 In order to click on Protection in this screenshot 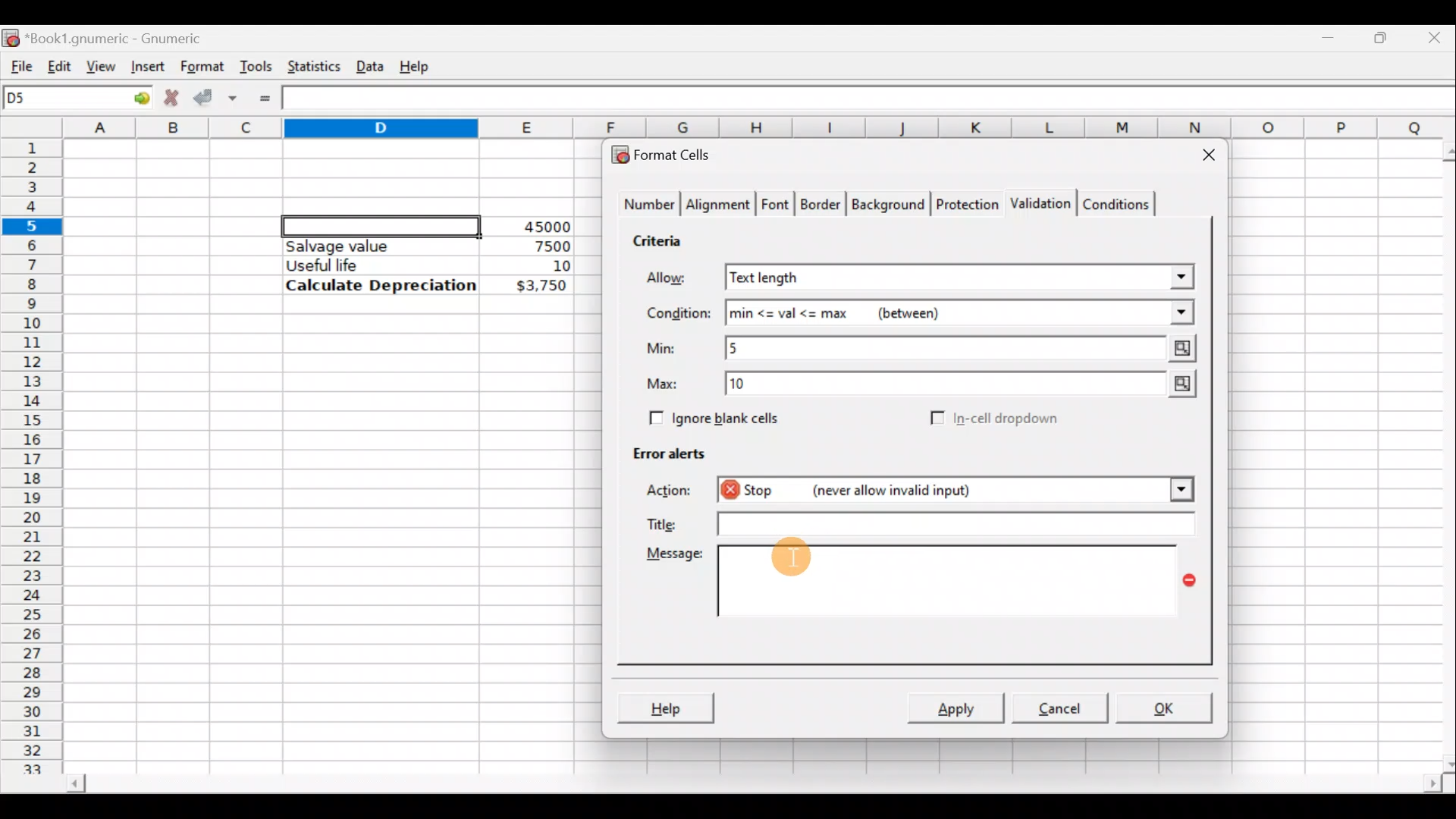, I will do `click(963, 202)`.